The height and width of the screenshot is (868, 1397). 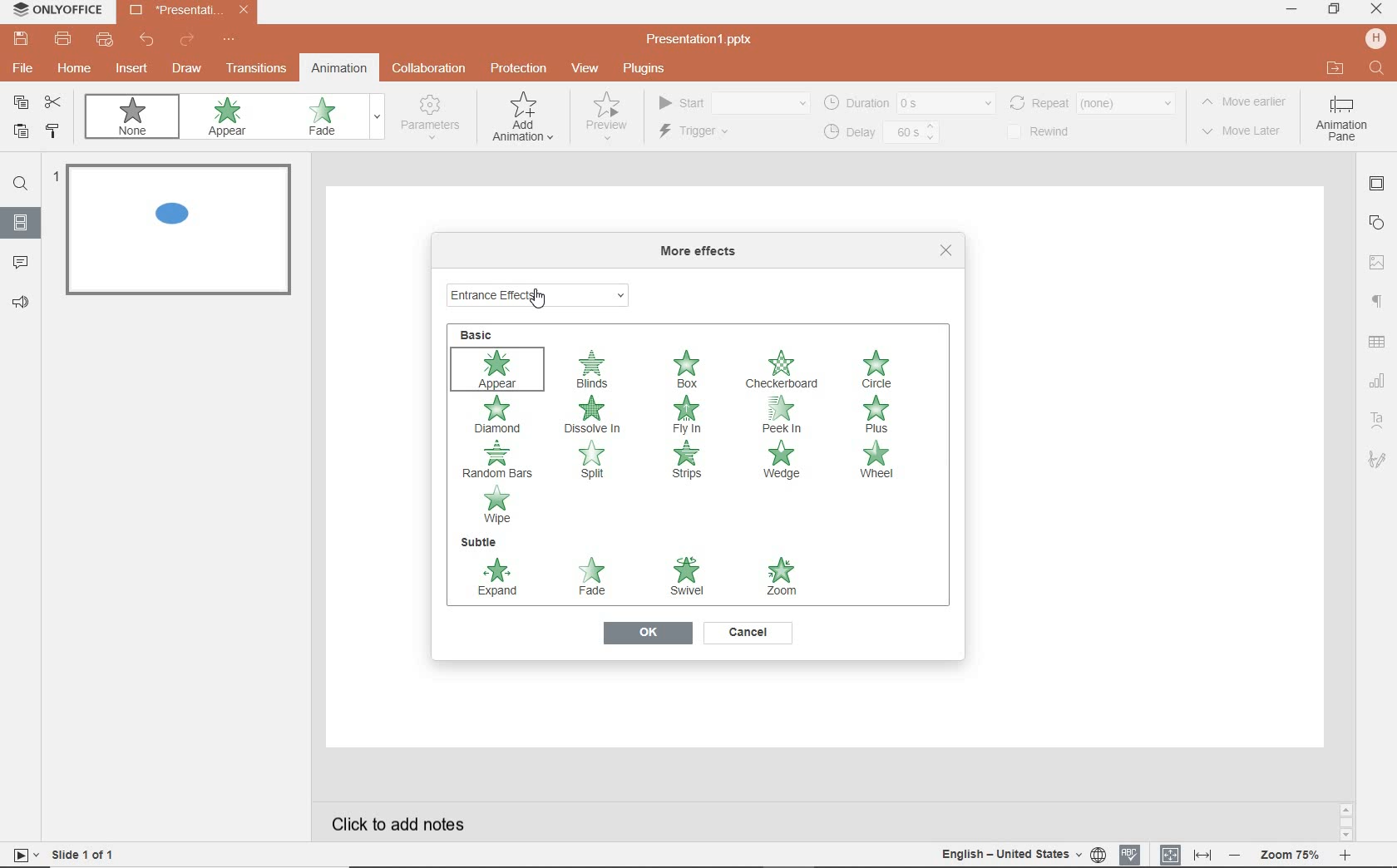 What do you see at coordinates (1380, 222) in the screenshot?
I see `shape settings` at bounding box center [1380, 222].